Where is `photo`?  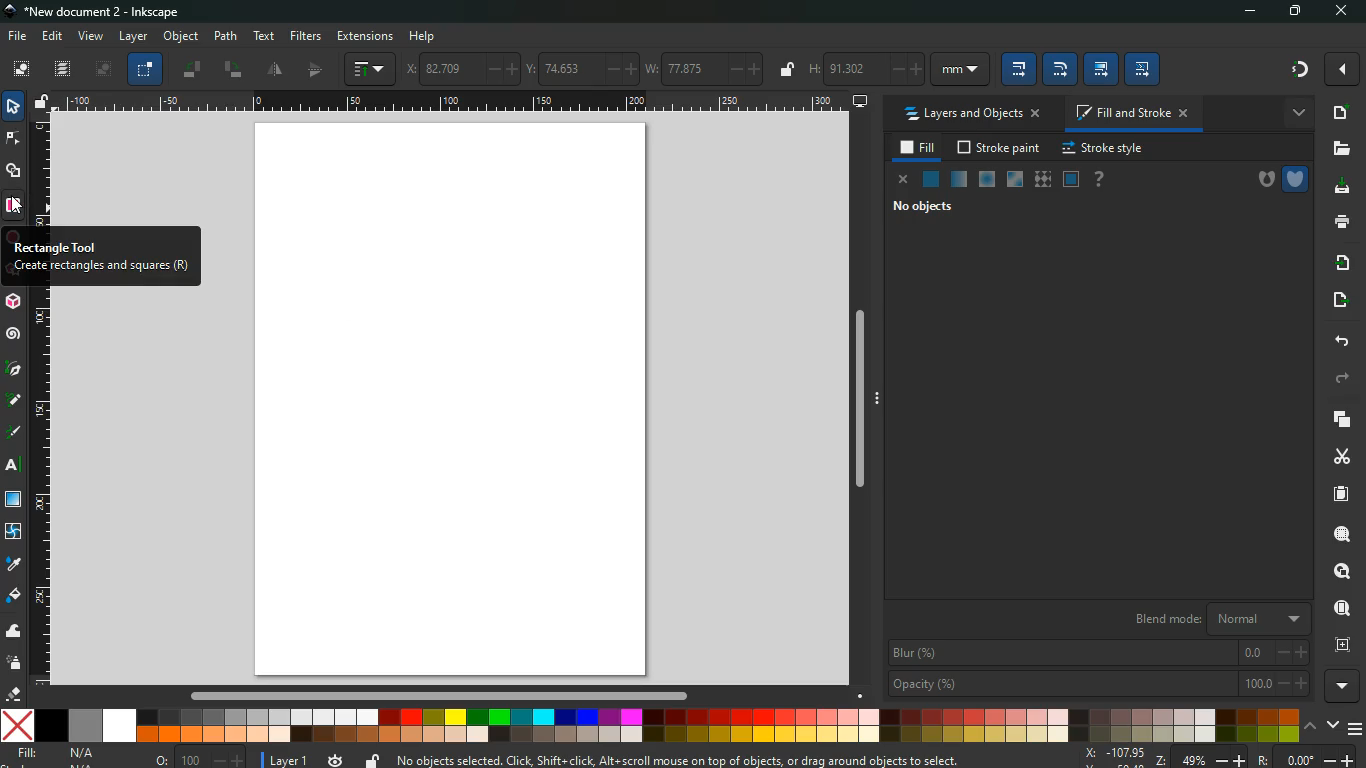
photo is located at coordinates (21, 69).